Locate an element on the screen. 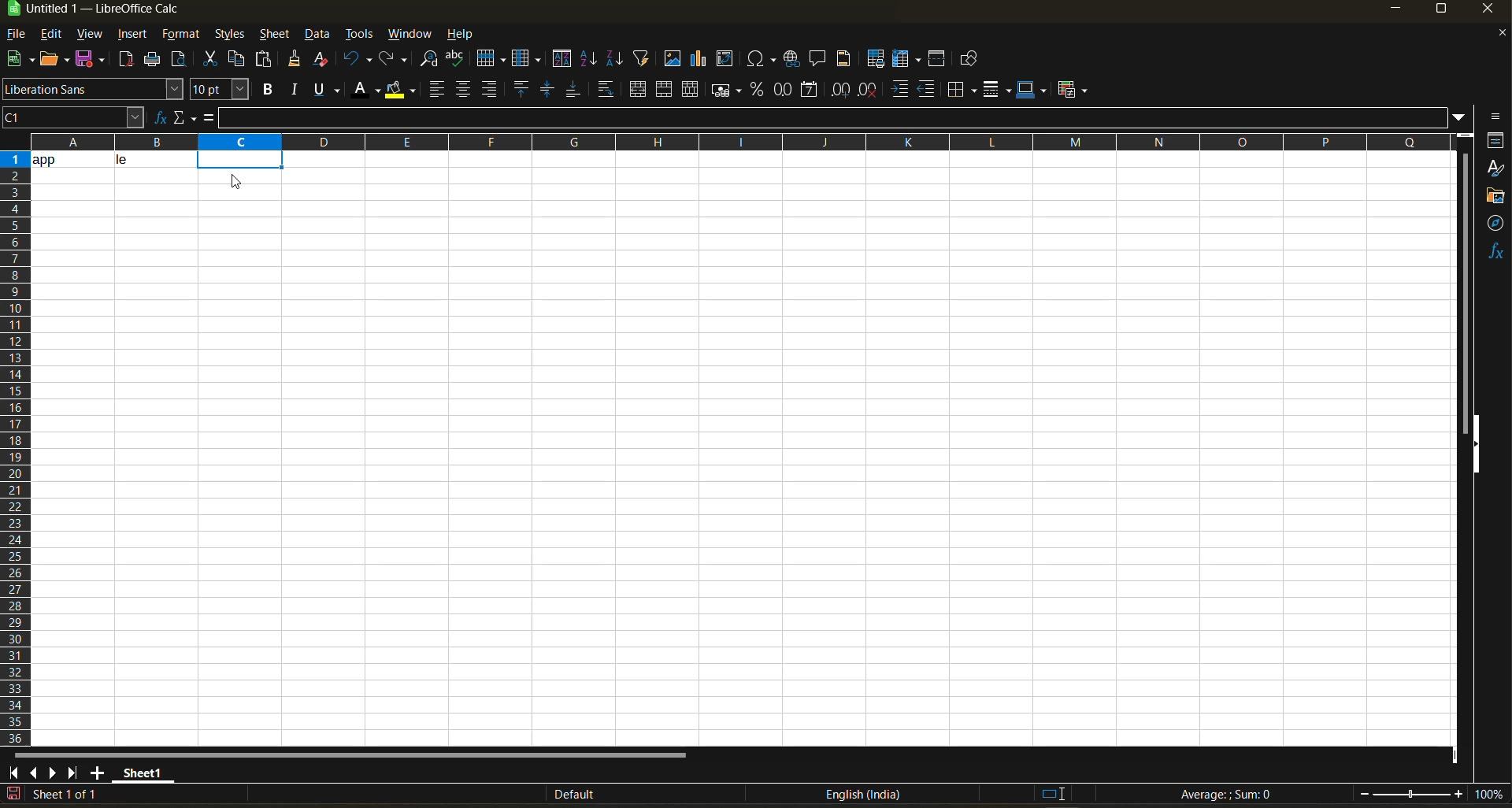  autofilter is located at coordinates (642, 57).